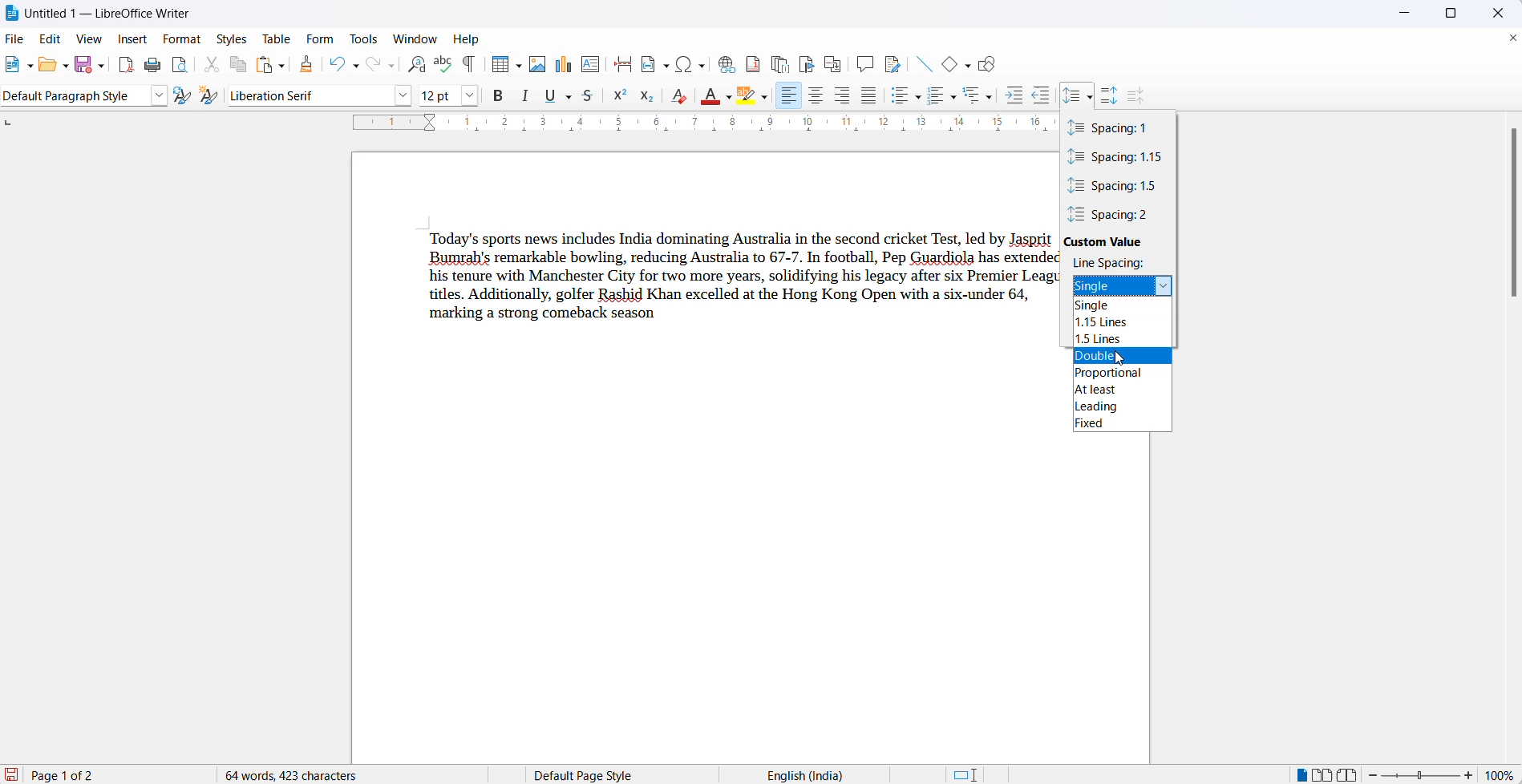  I want to click on double, so click(1119, 358).